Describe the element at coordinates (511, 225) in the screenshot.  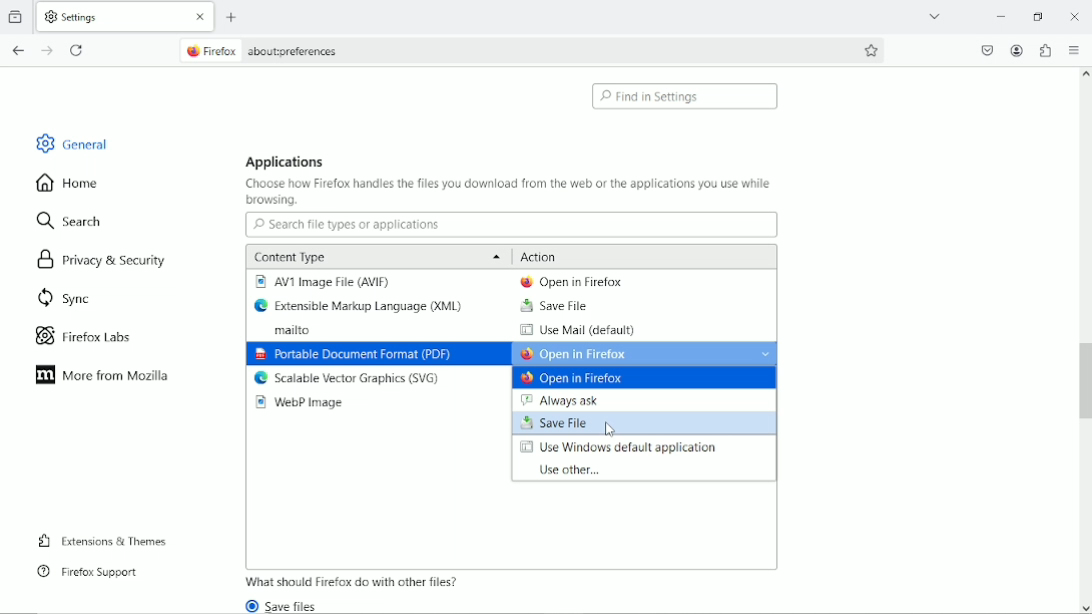
I see `Search the file types  or applications` at that location.